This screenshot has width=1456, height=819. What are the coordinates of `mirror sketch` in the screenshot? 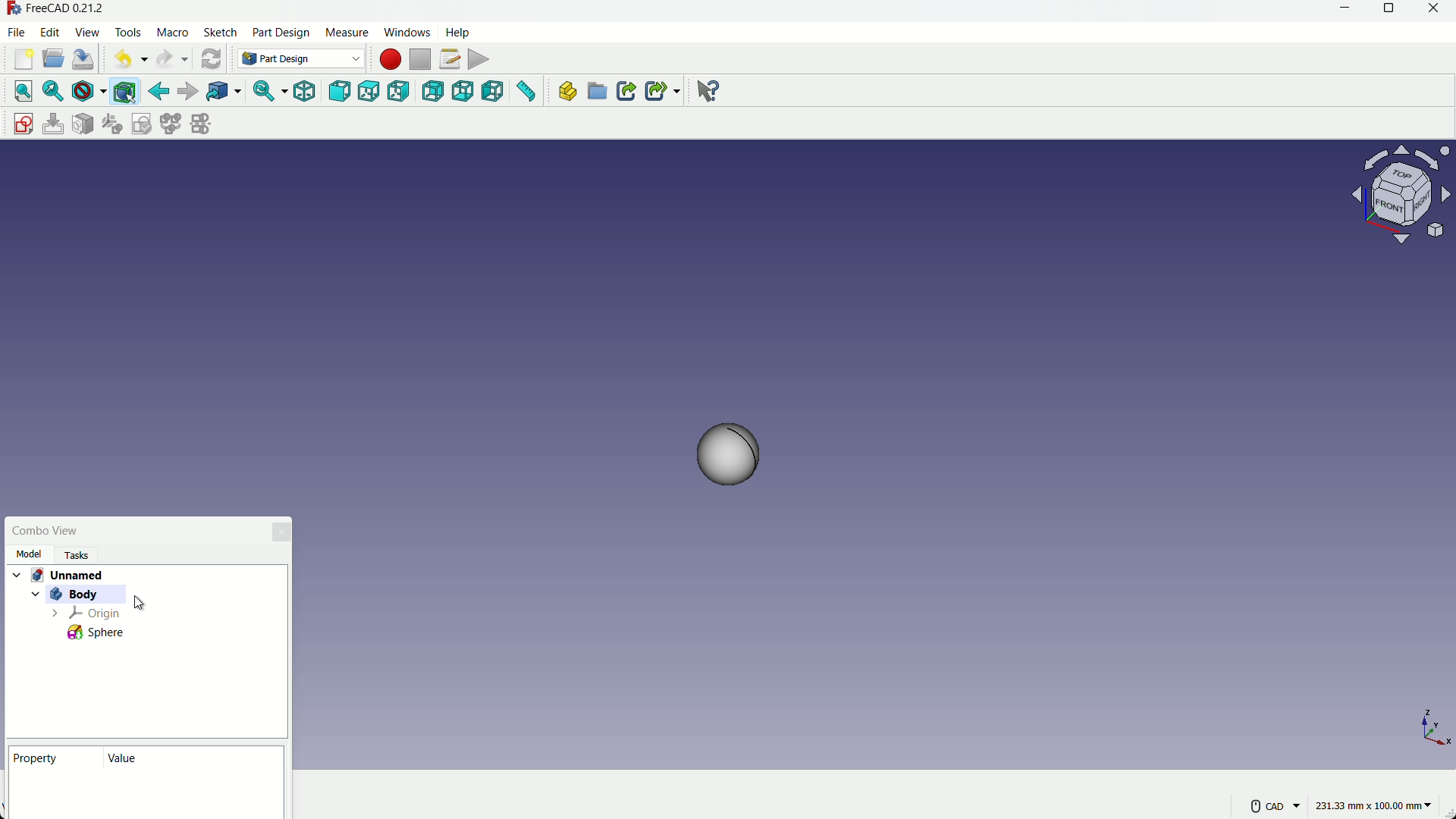 It's located at (202, 124).